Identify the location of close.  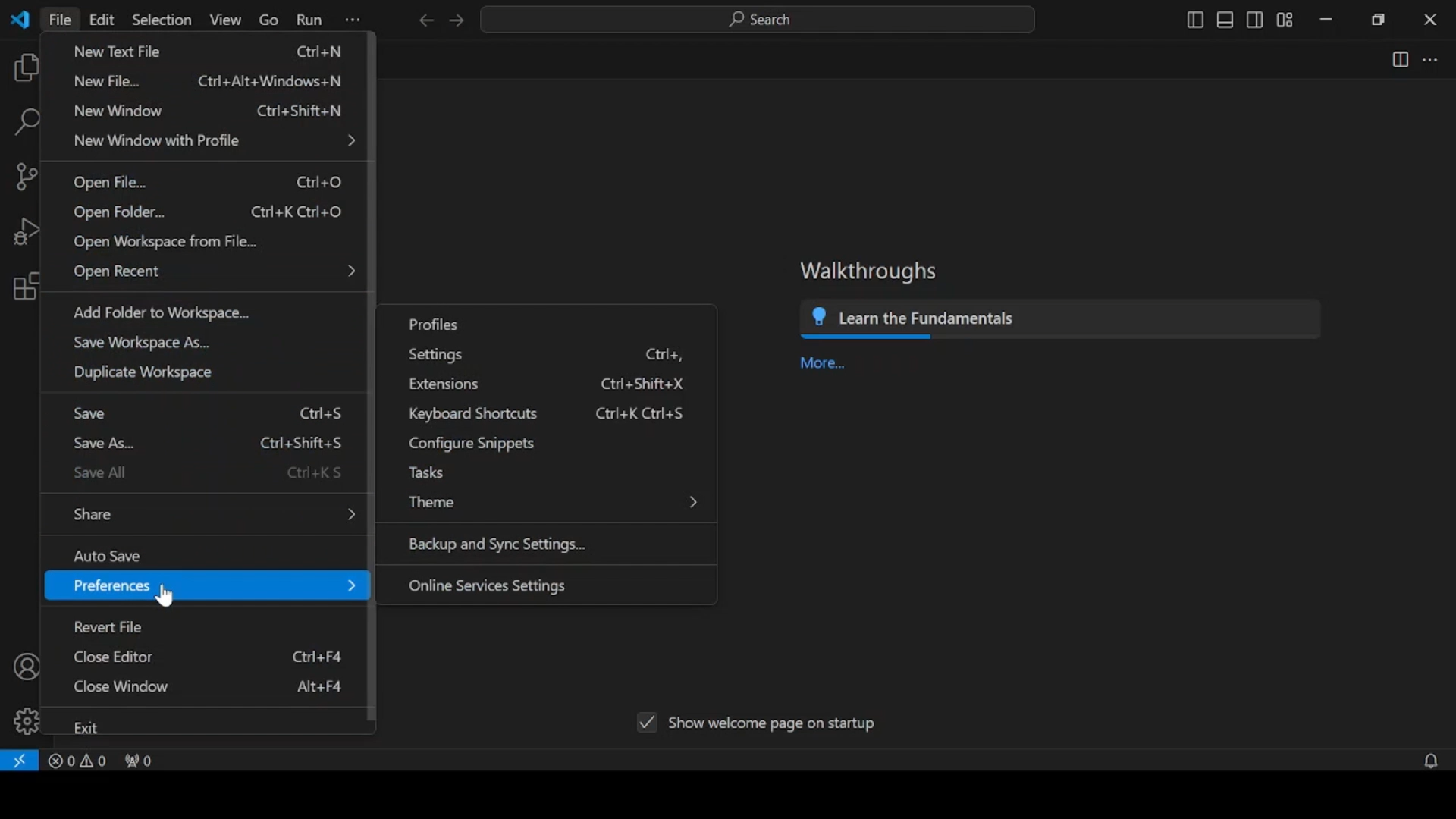
(1429, 20).